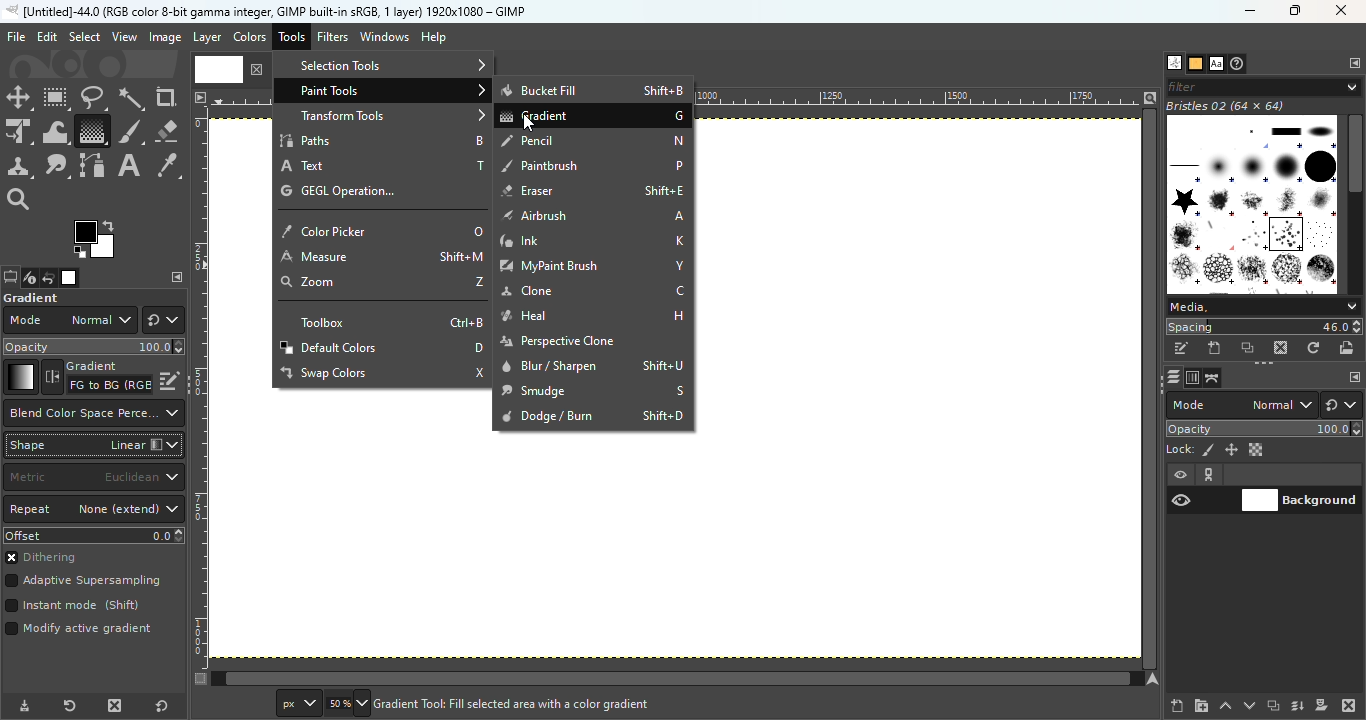  What do you see at coordinates (1213, 378) in the screenshot?
I see `Open the paths dialog` at bounding box center [1213, 378].